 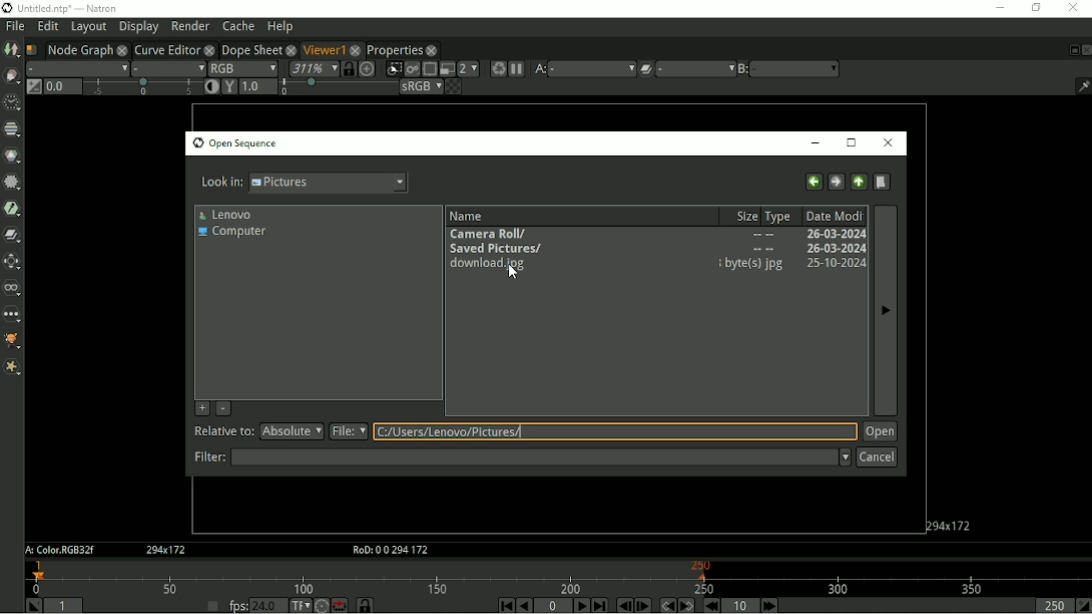 I want to click on close, so click(x=432, y=50).